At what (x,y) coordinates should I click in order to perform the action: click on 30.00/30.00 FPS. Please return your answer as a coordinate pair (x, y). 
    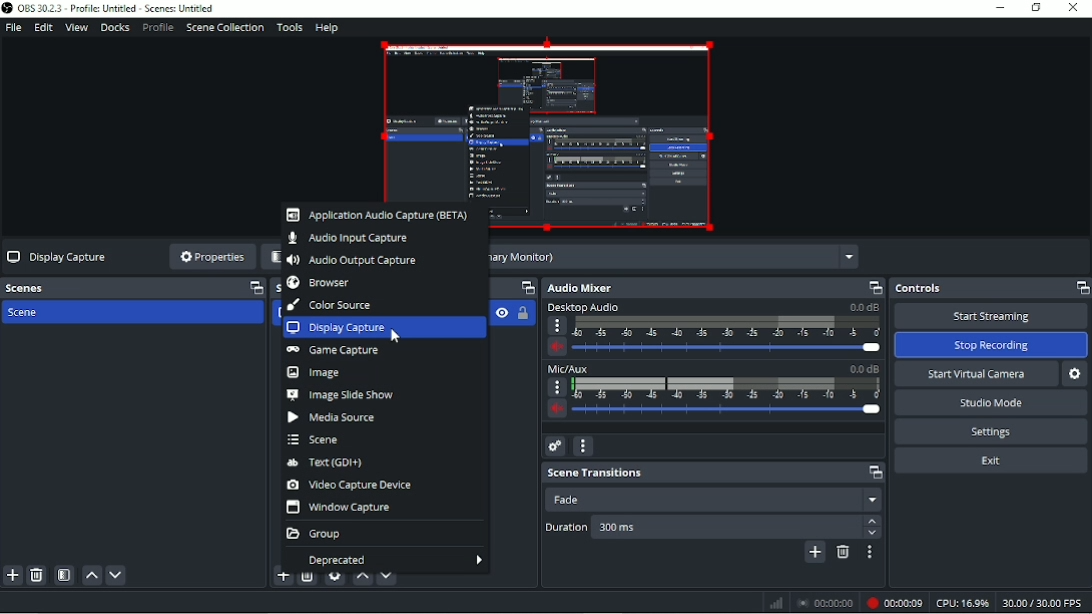
    Looking at the image, I should click on (1045, 602).